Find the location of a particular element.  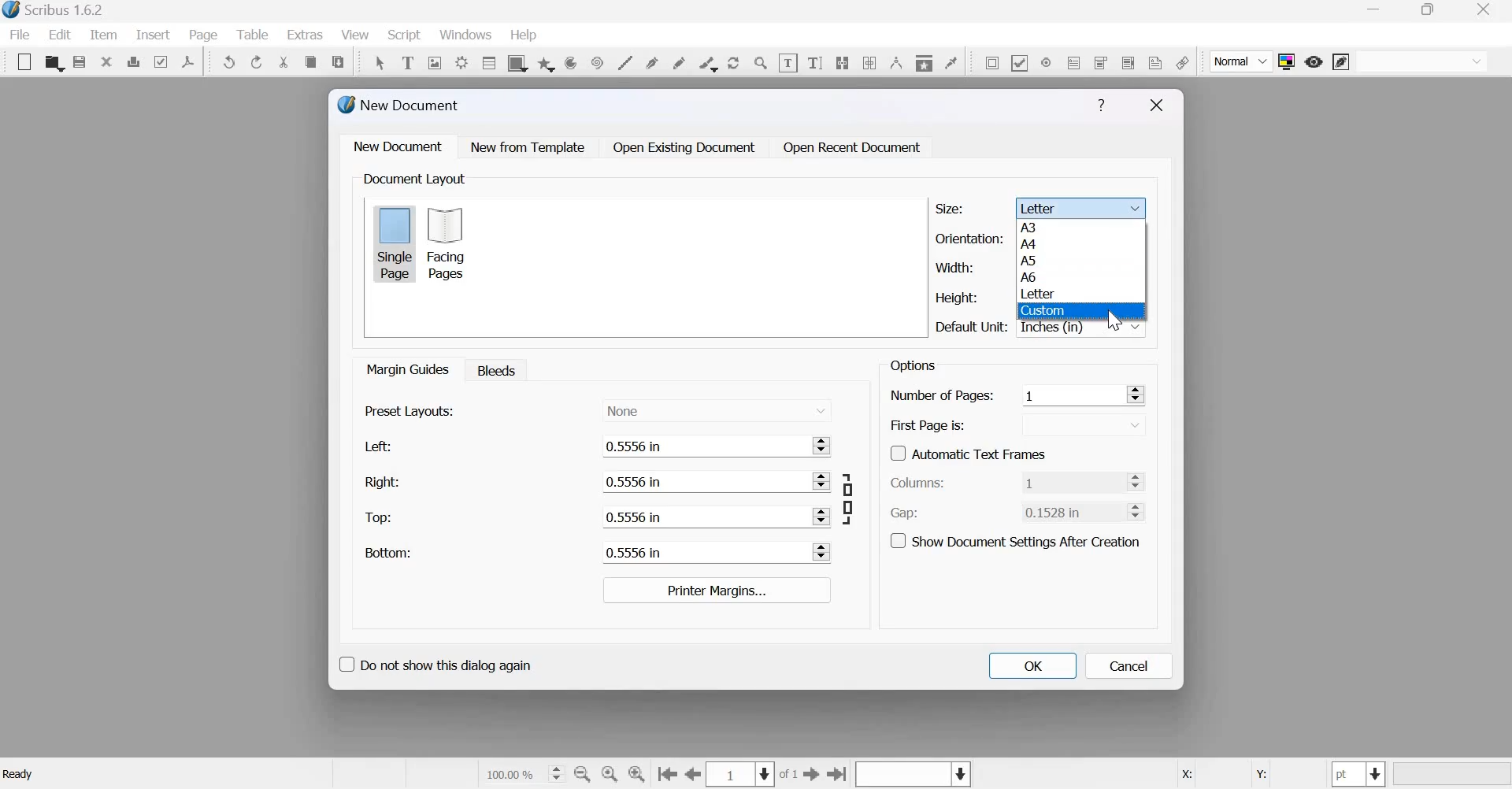

1 is located at coordinates (1072, 480).